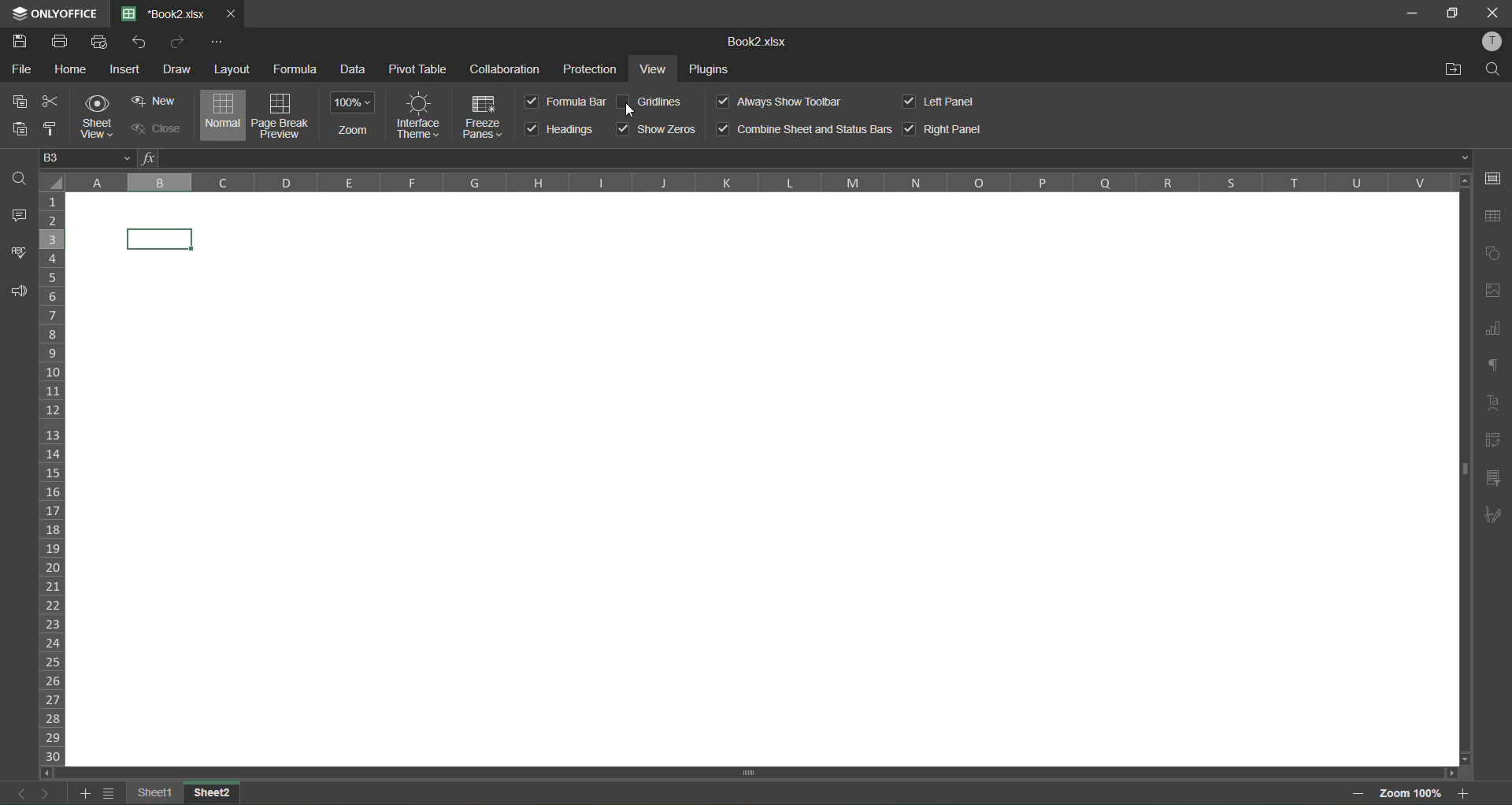 This screenshot has height=805, width=1512. I want to click on cursor, so click(632, 111).